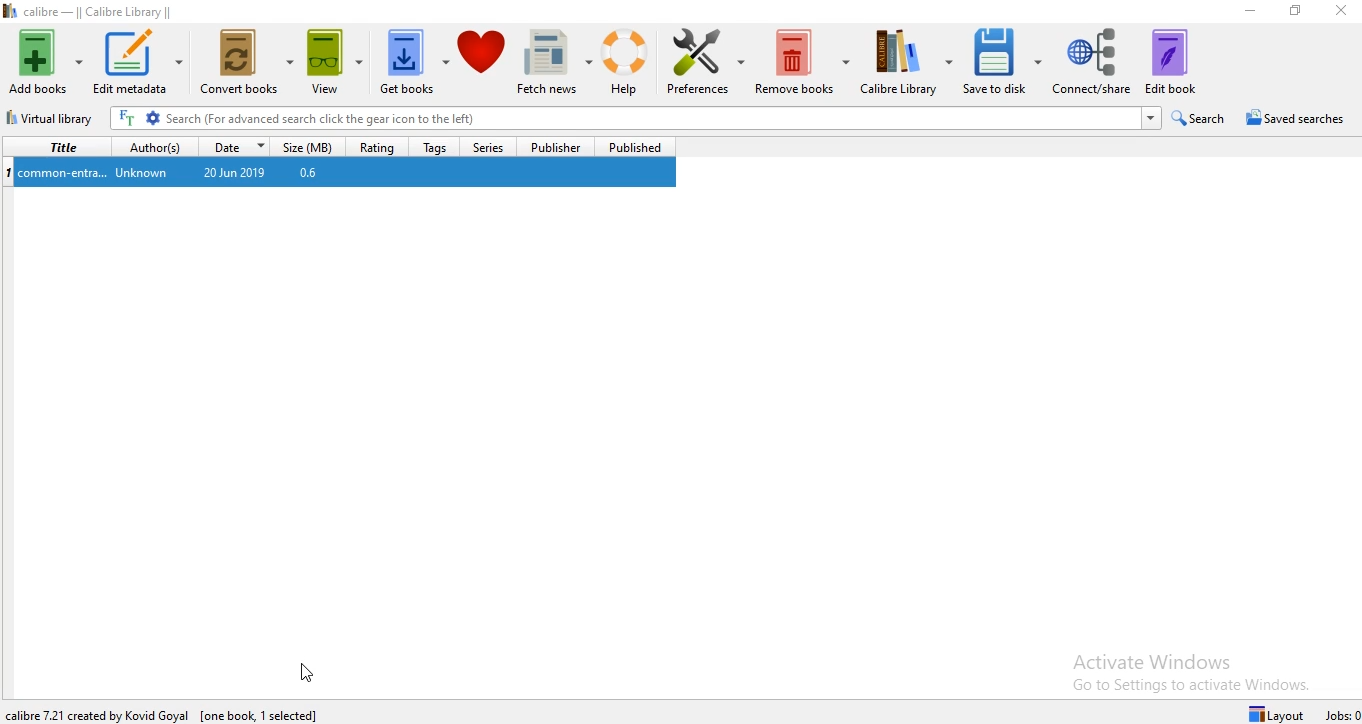  Describe the element at coordinates (628, 66) in the screenshot. I see `Help` at that location.